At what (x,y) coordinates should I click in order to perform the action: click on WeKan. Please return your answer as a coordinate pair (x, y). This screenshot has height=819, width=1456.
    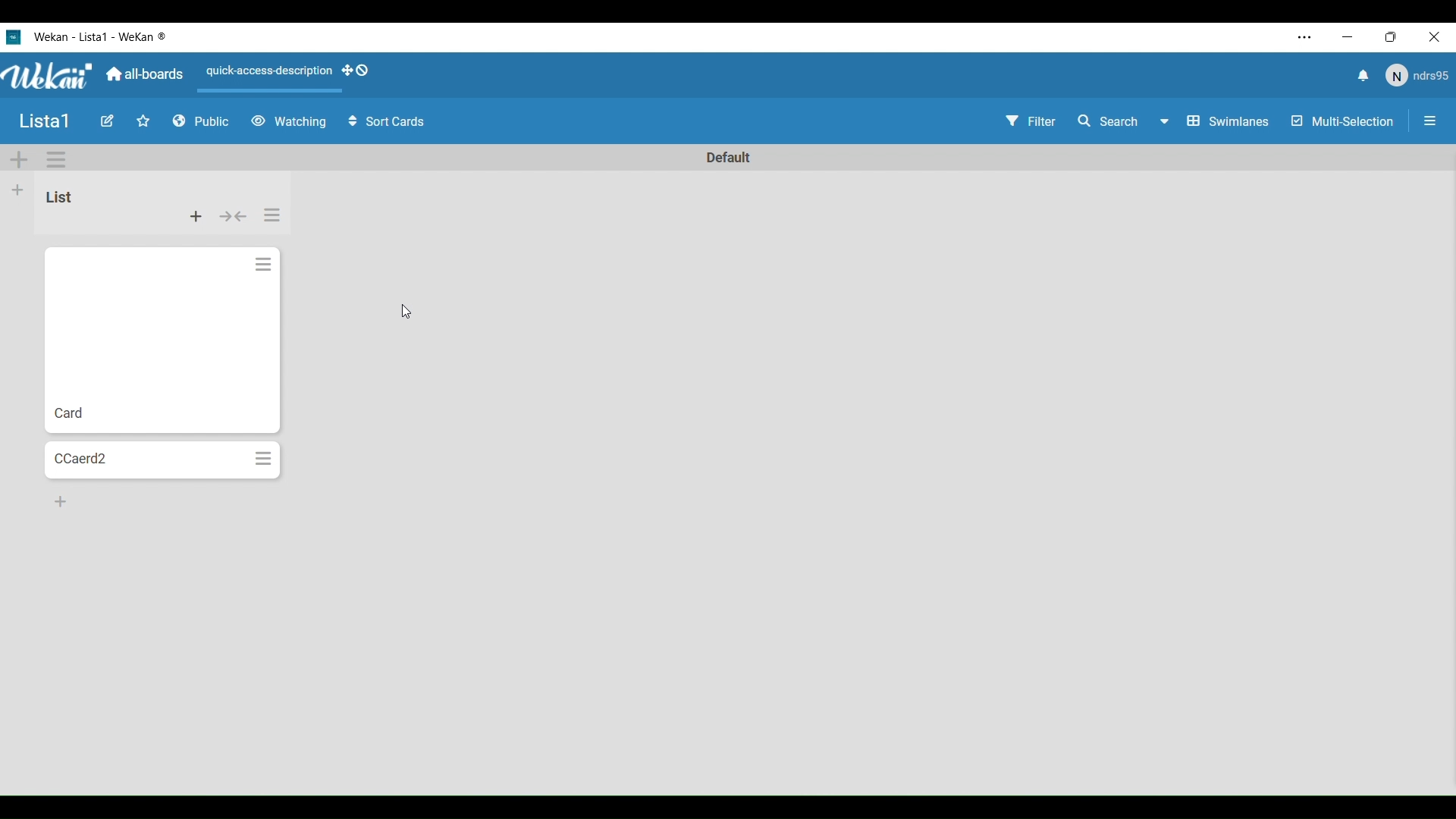
    Looking at the image, I should click on (49, 76).